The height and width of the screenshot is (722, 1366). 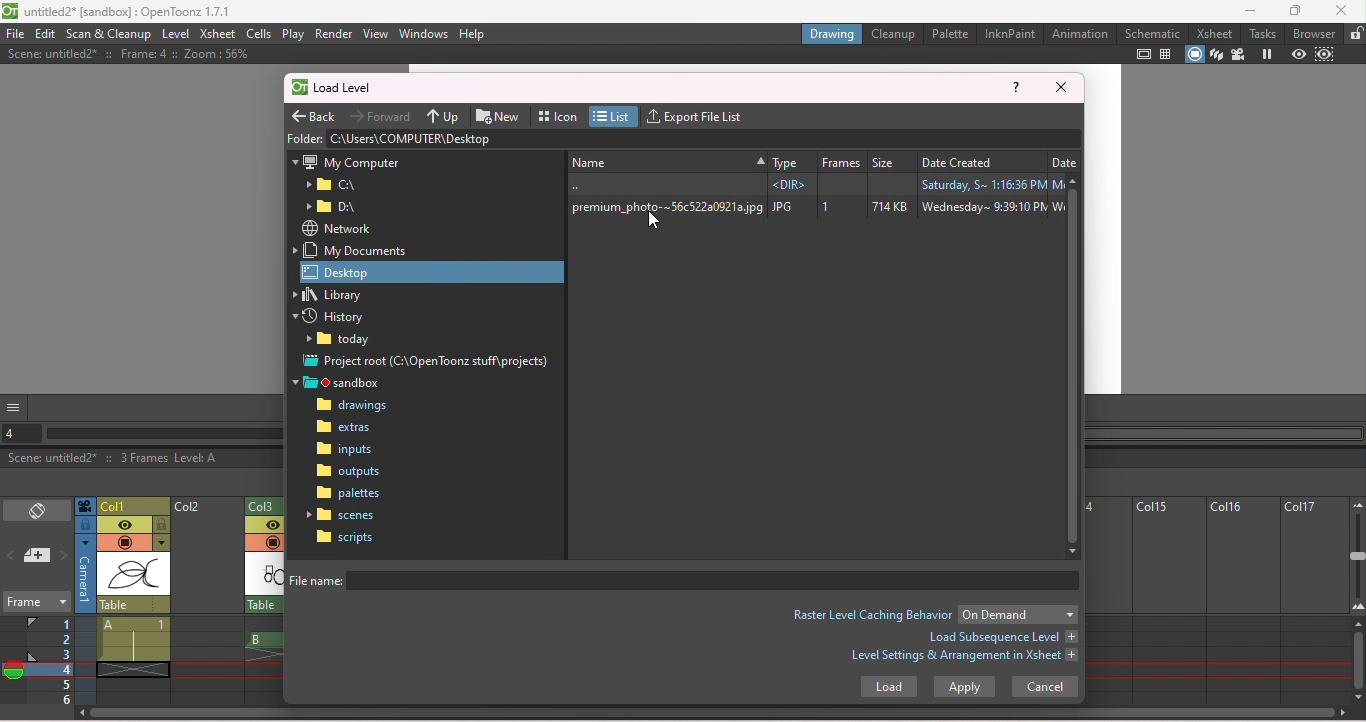 I want to click on Up, so click(x=445, y=115).